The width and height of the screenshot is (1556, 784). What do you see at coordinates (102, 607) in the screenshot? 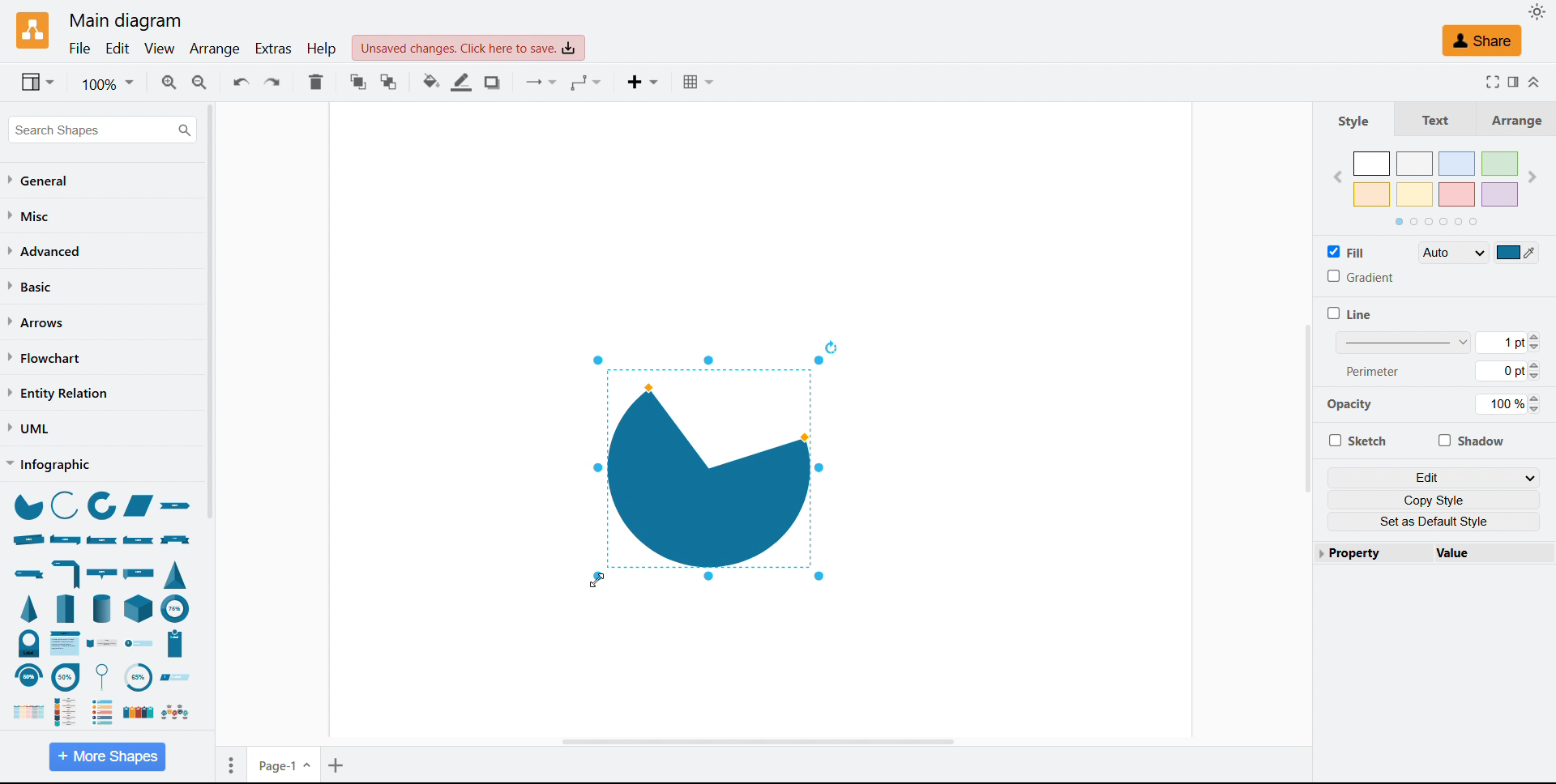
I see `cylinder` at bounding box center [102, 607].